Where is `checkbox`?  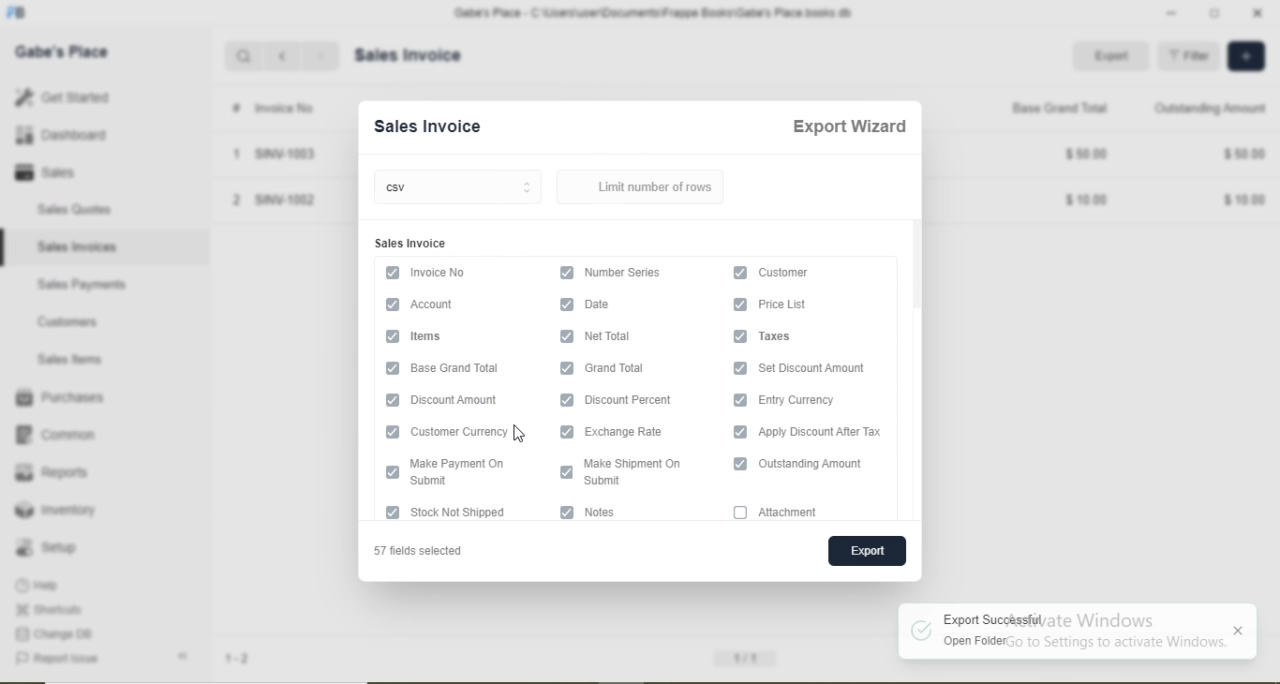 checkbox is located at coordinates (567, 307).